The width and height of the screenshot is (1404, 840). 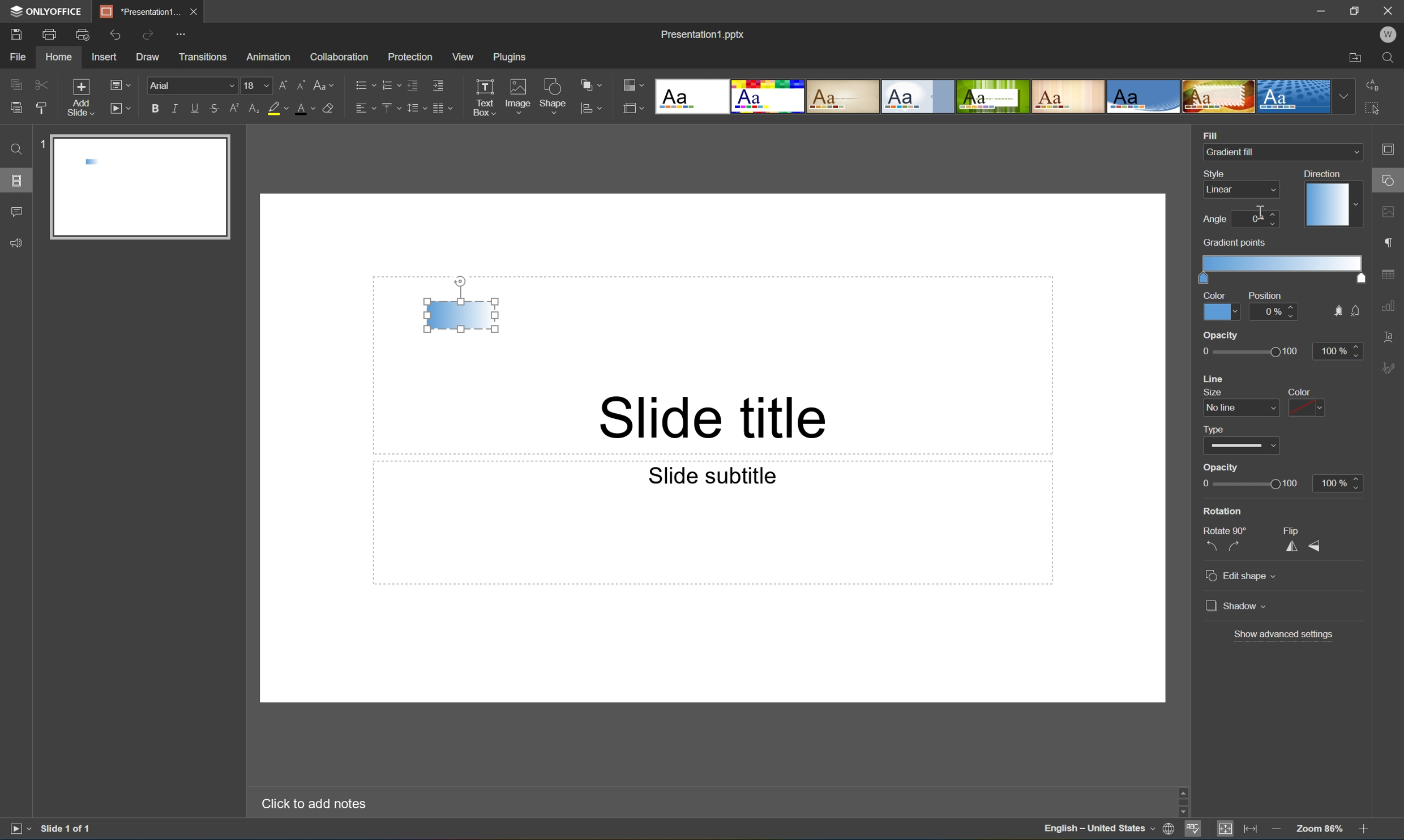 I want to click on 1, so click(x=41, y=147).